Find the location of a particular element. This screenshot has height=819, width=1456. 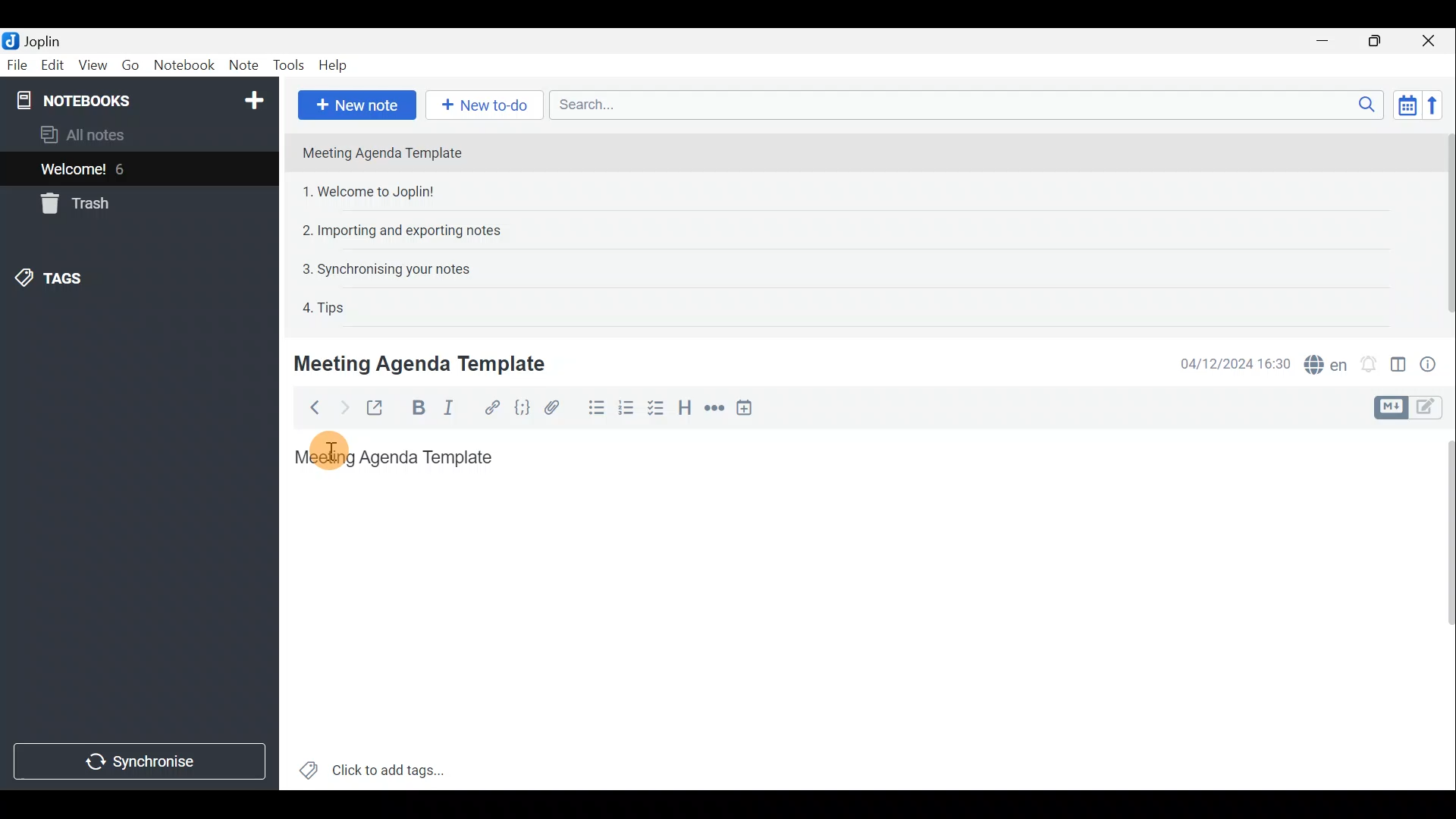

cursor is located at coordinates (331, 455).